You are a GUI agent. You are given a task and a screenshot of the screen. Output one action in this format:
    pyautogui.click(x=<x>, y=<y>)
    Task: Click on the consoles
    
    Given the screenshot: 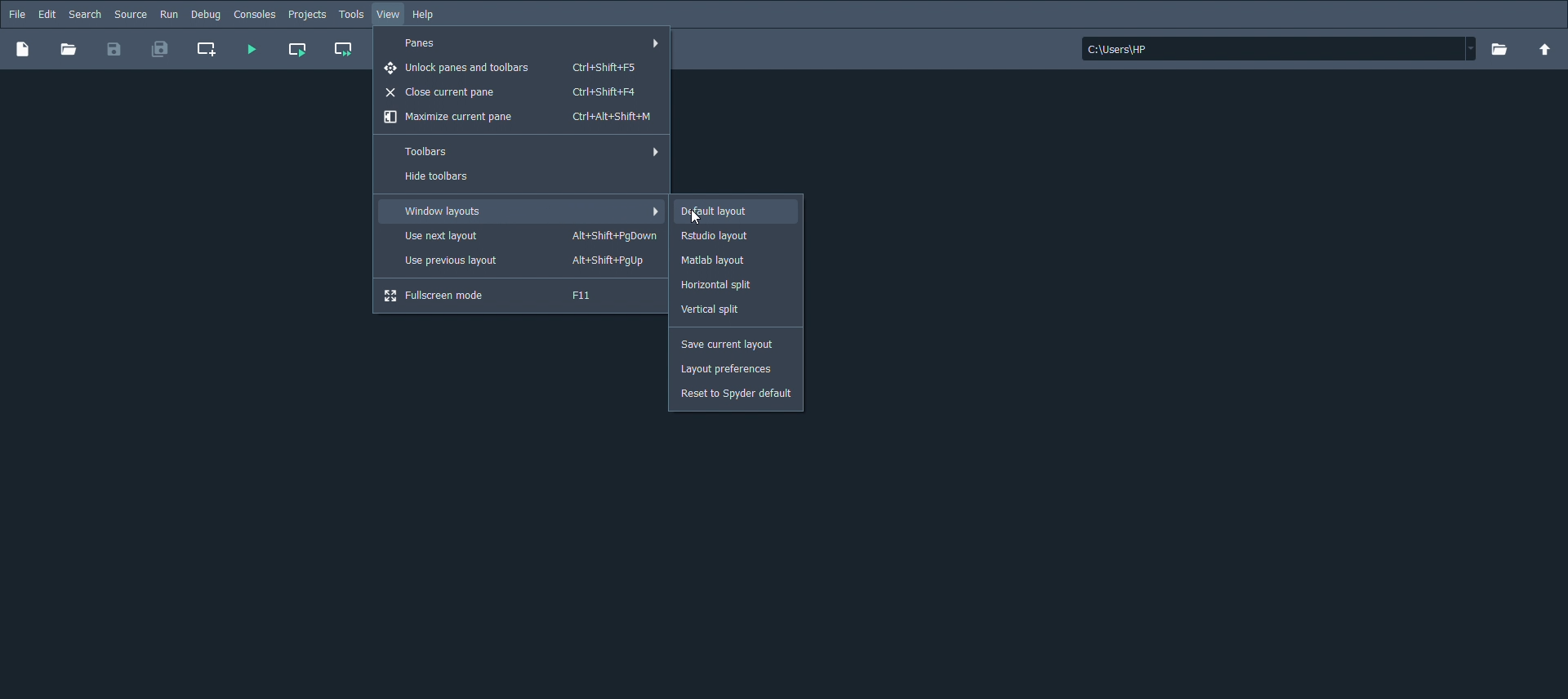 What is the action you would take?
    pyautogui.click(x=254, y=14)
    